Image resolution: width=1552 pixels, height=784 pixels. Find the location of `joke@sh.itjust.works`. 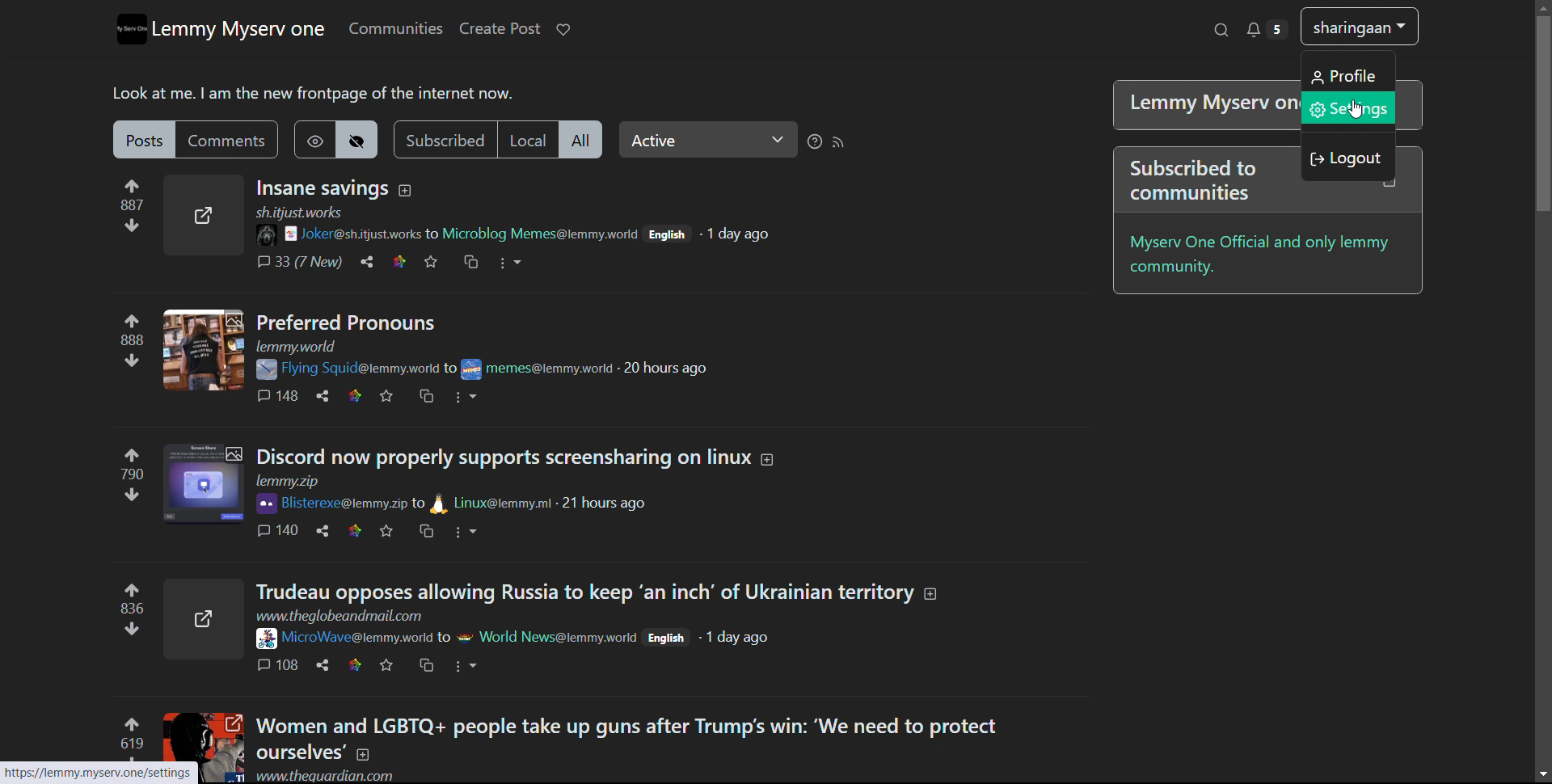

joke@sh.itjust.works is located at coordinates (337, 235).